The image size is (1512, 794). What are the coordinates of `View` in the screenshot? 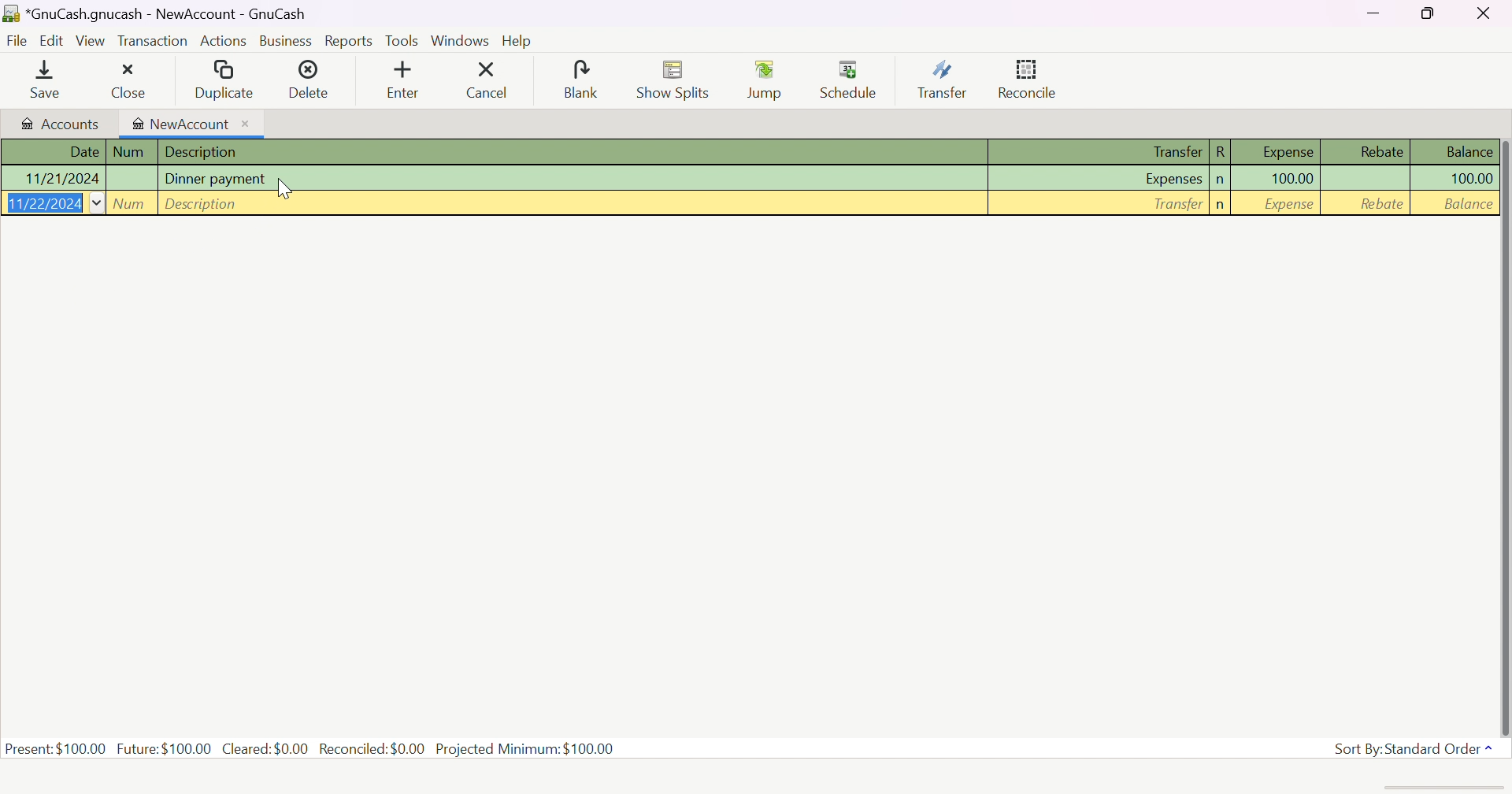 It's located at (91, 41).